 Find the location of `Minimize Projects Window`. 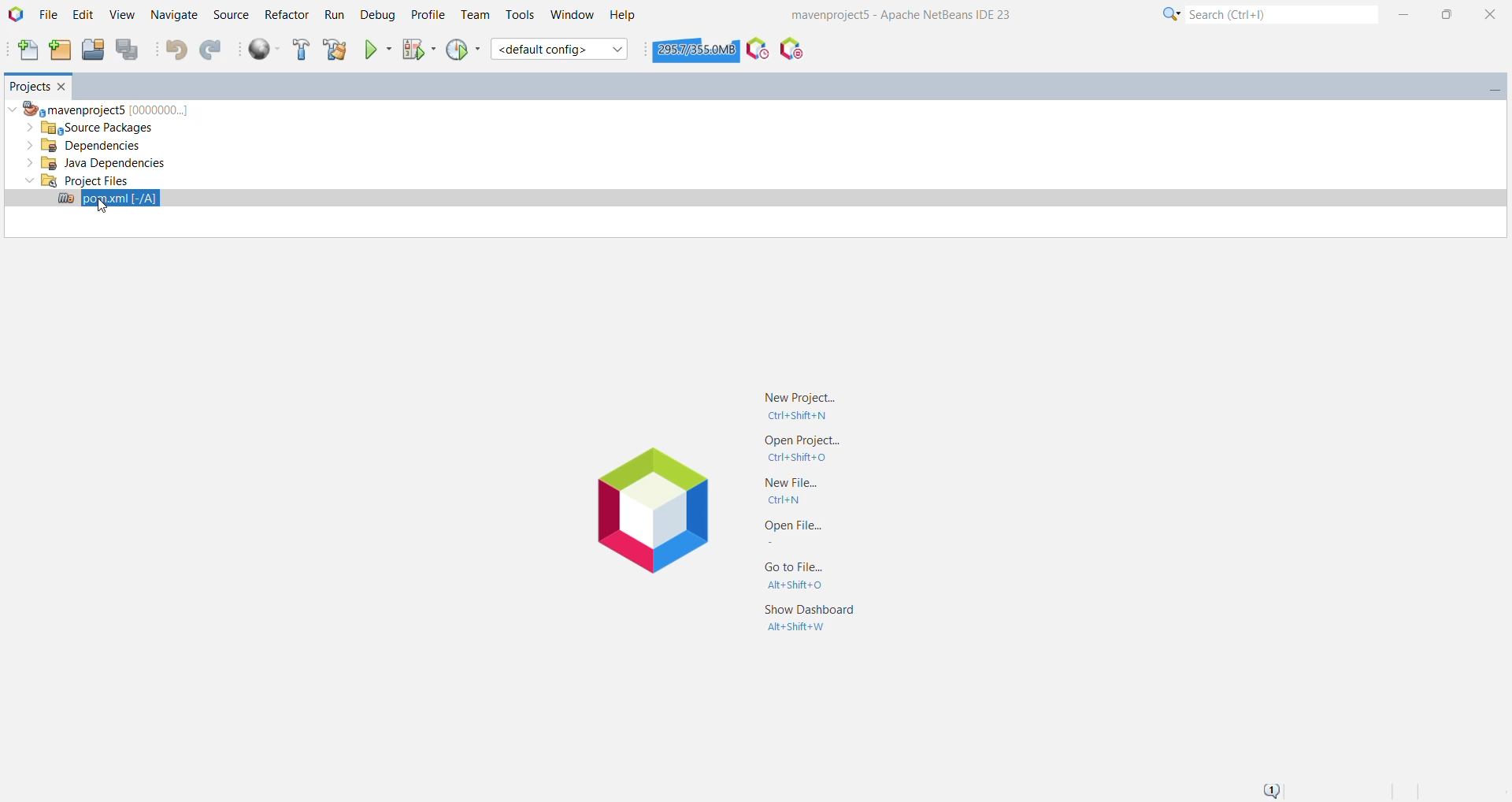

Minimize Projects Window is located at coordinates (1489, 87).